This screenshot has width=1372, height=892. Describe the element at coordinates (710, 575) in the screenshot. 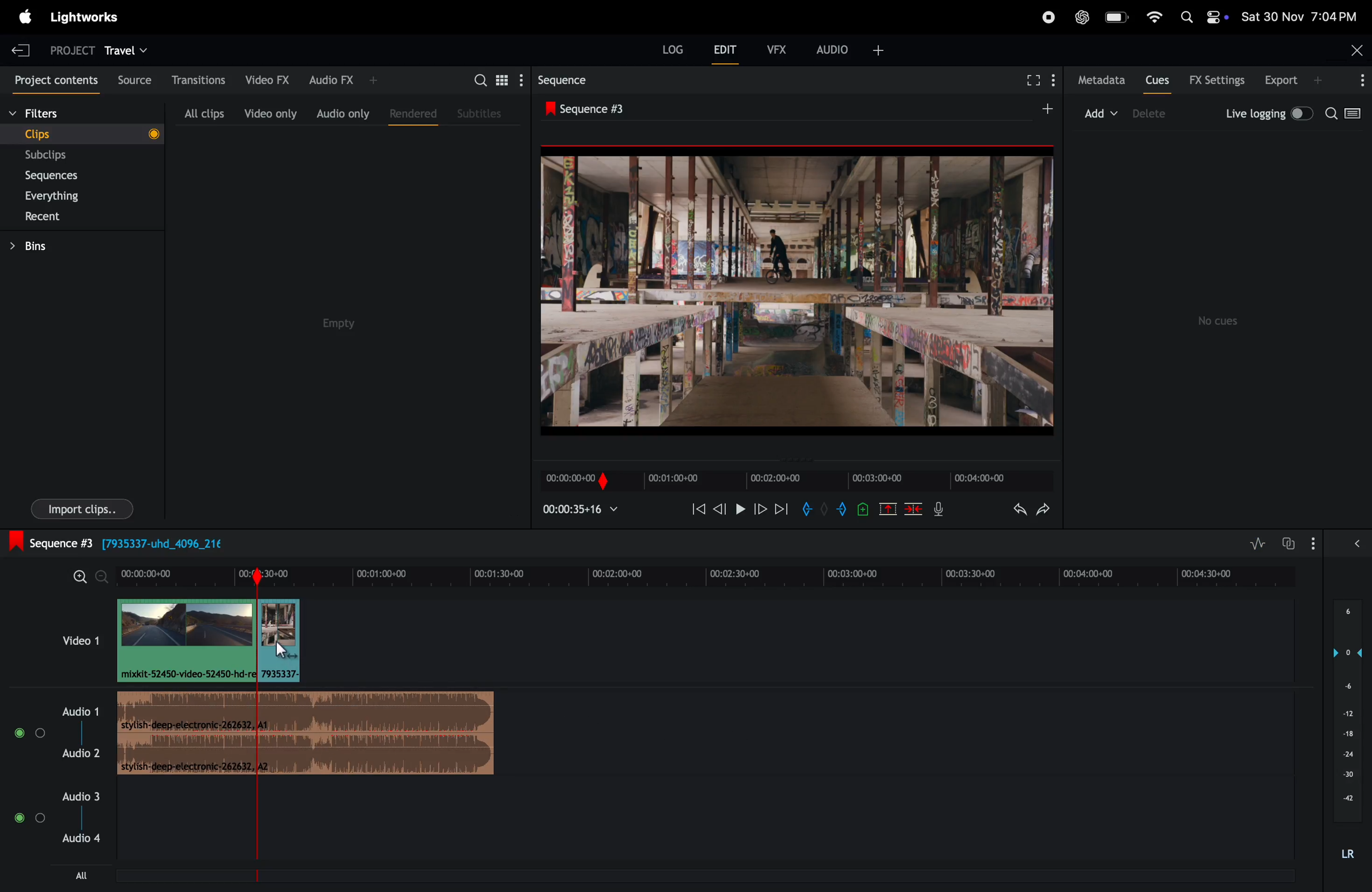

I see `time frame` at that location.